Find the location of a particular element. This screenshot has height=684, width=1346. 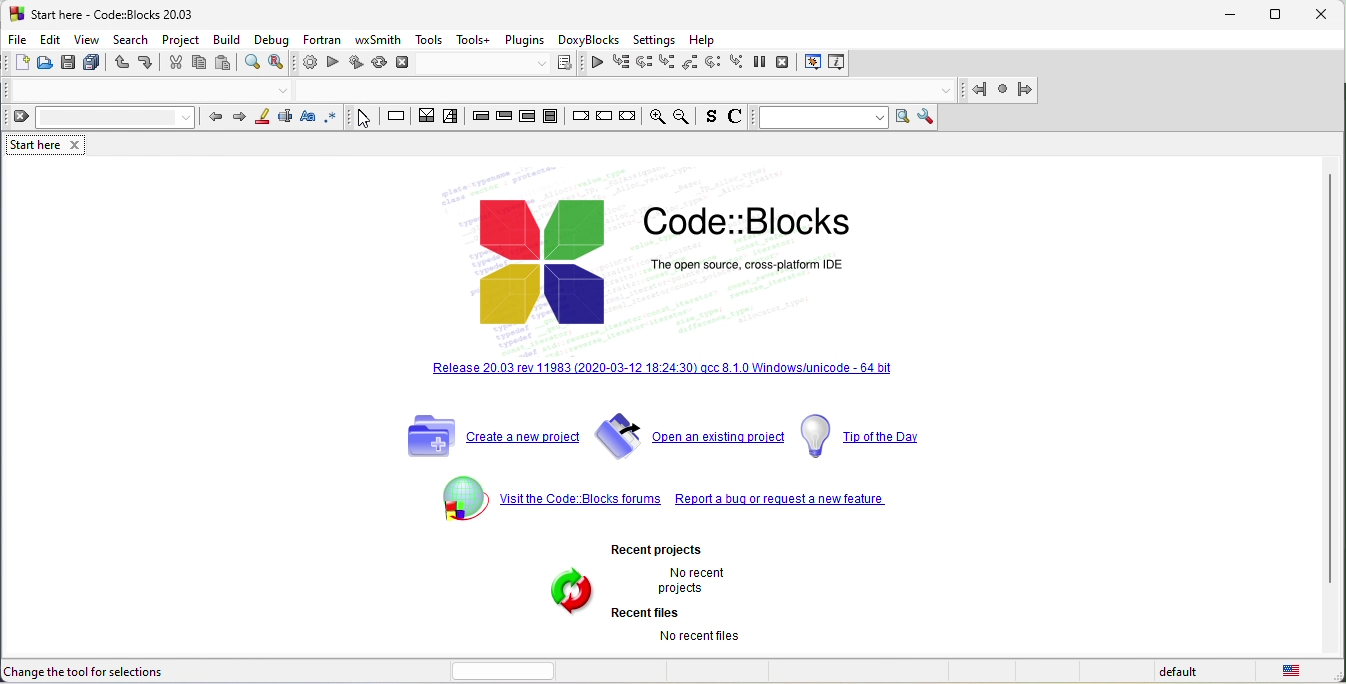

run search is located at coordinates (905, 119).